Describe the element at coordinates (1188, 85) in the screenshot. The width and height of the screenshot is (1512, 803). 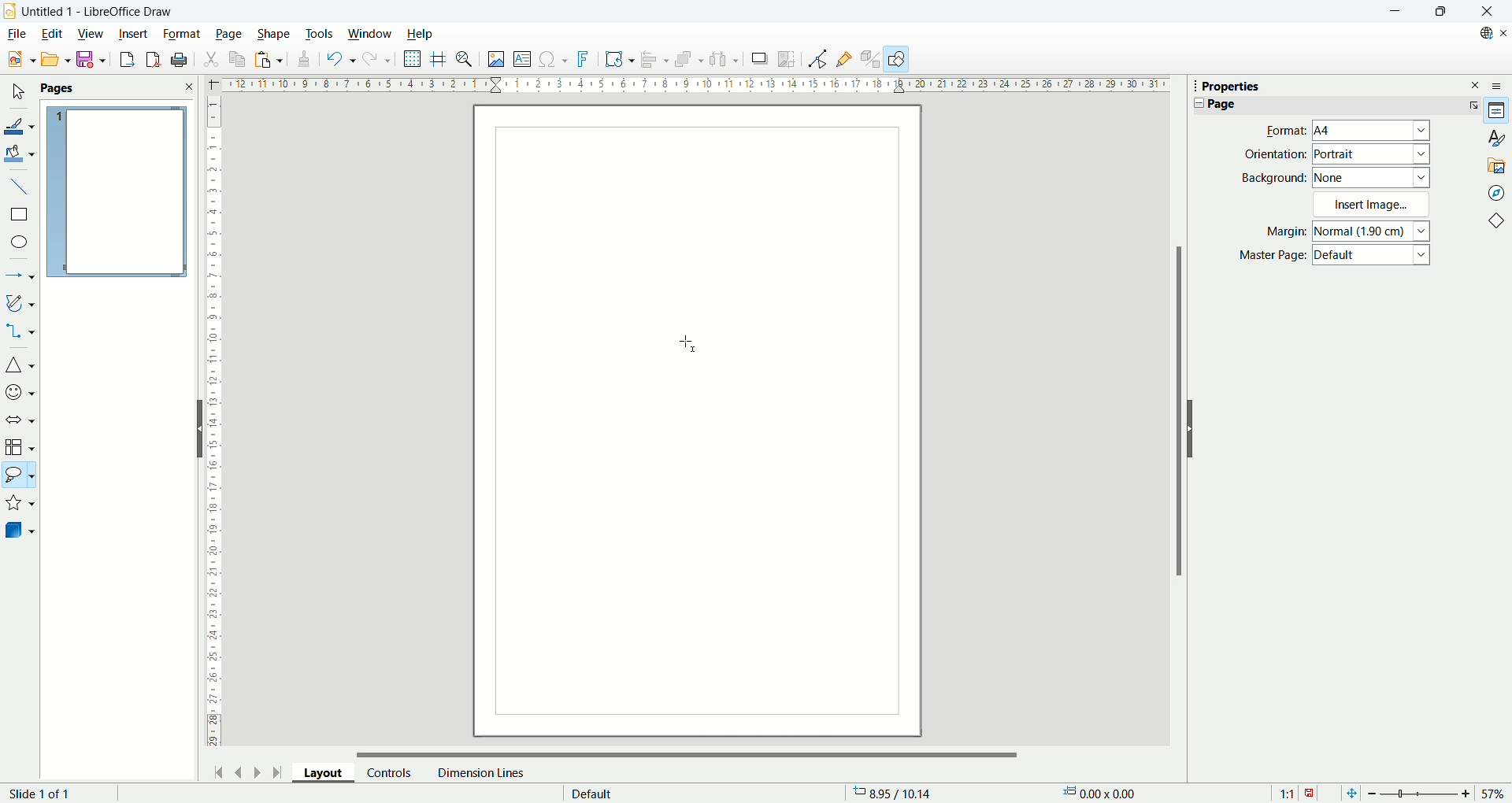
I see `Tooltip drag` at that location.